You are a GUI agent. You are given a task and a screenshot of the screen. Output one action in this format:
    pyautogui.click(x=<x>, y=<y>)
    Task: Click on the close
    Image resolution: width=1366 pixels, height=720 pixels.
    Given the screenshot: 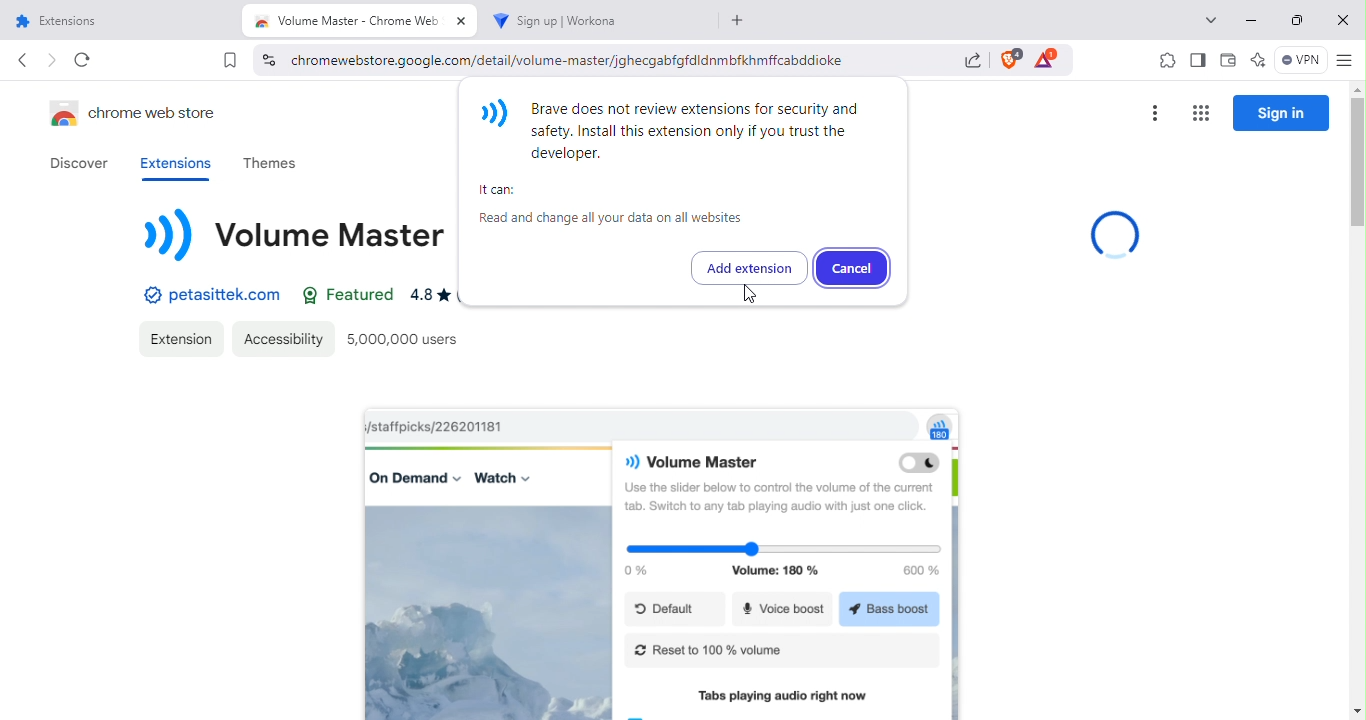 What is the action you would take?
    pyautogui.click(x=1343, y=19)
    